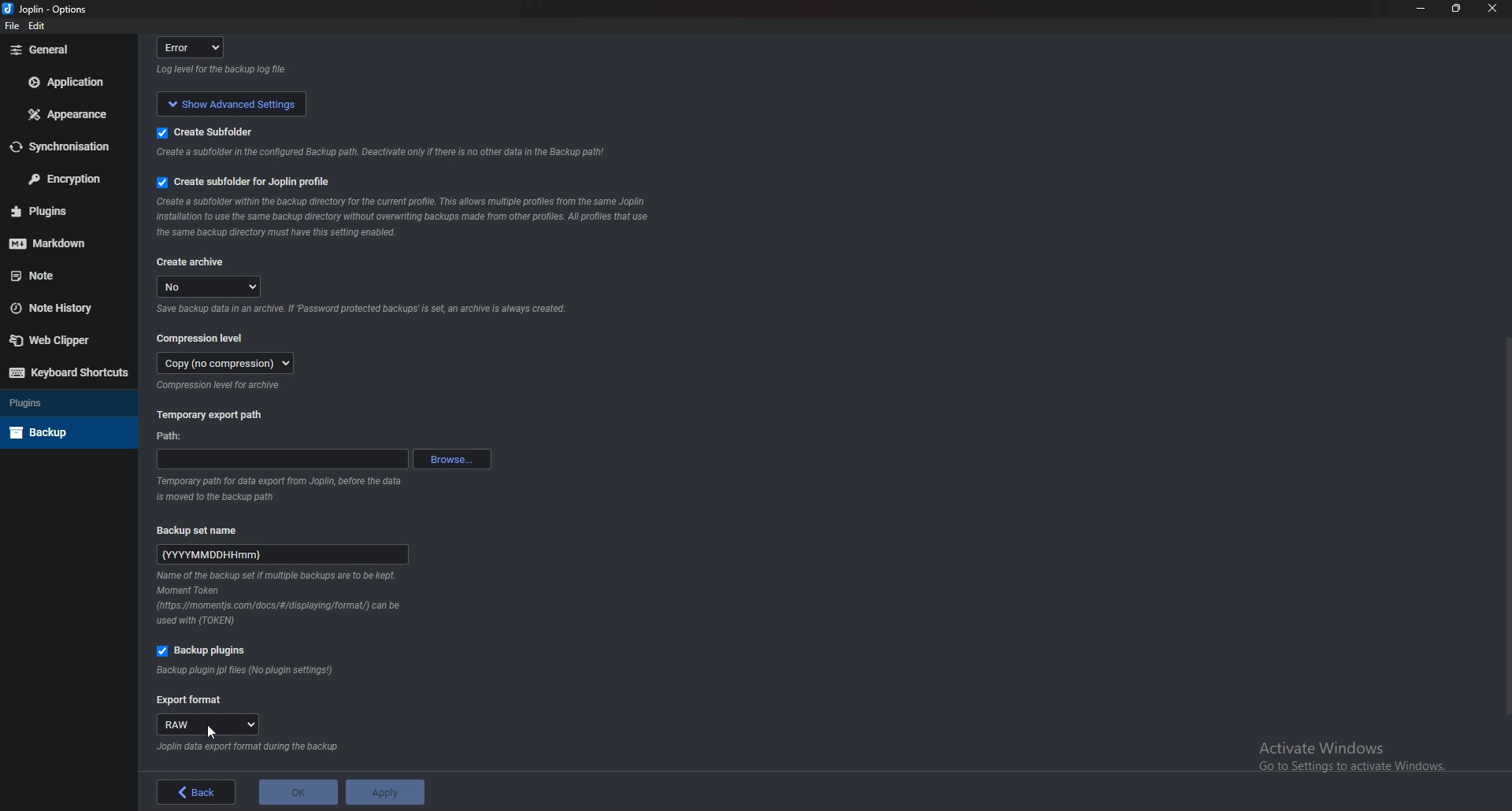 This screenshot has height=811, width=1512. Describe the element at coordinates (210, 724) in the screenshot. I see `raw` at that location.